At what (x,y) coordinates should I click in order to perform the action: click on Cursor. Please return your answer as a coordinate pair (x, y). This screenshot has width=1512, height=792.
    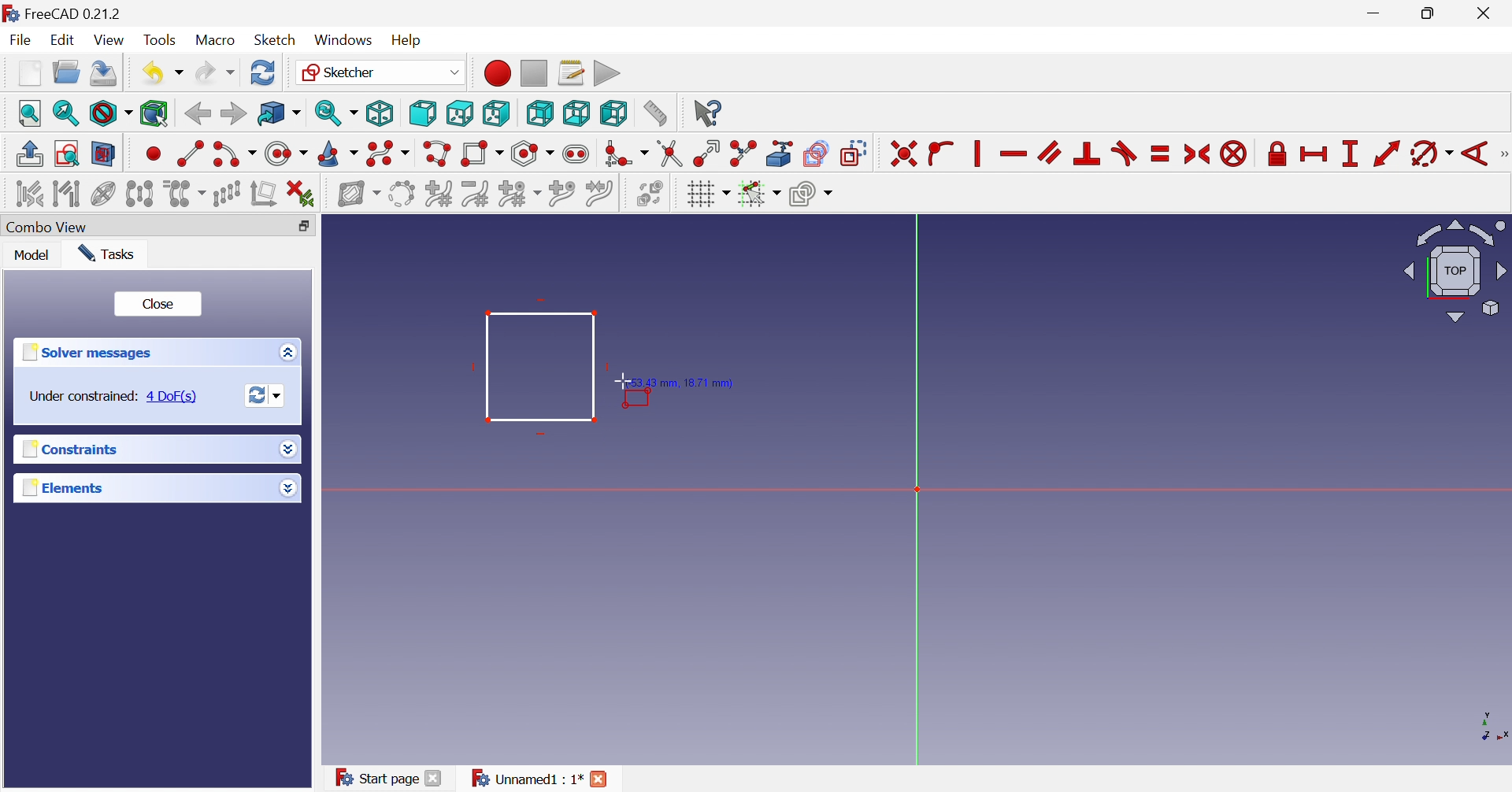
    Looking at the image, I should click on (624, 382).